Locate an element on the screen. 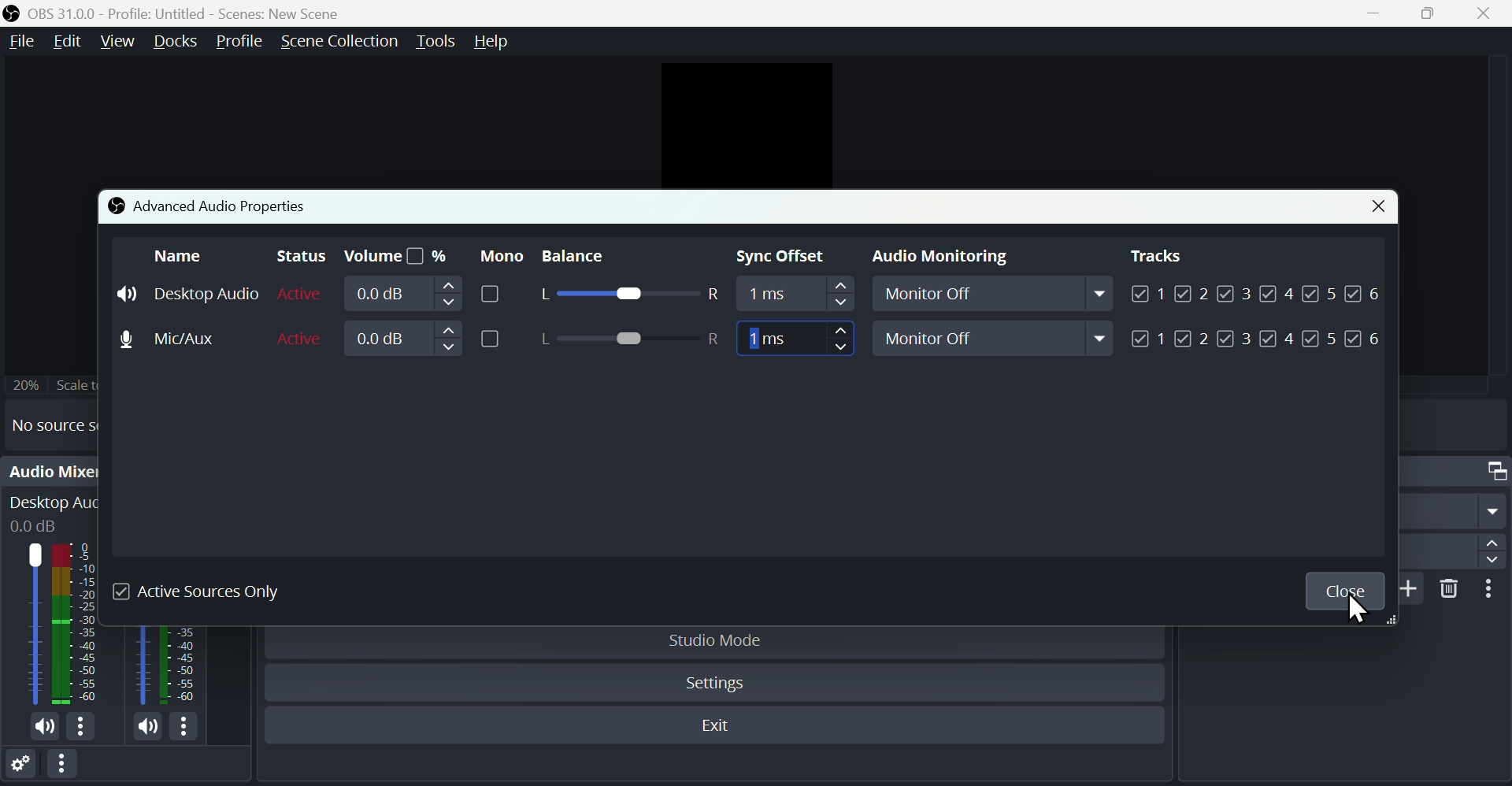 This screenshot has height=786, width=1512. Monitor off is located at coordinates (997, 296).